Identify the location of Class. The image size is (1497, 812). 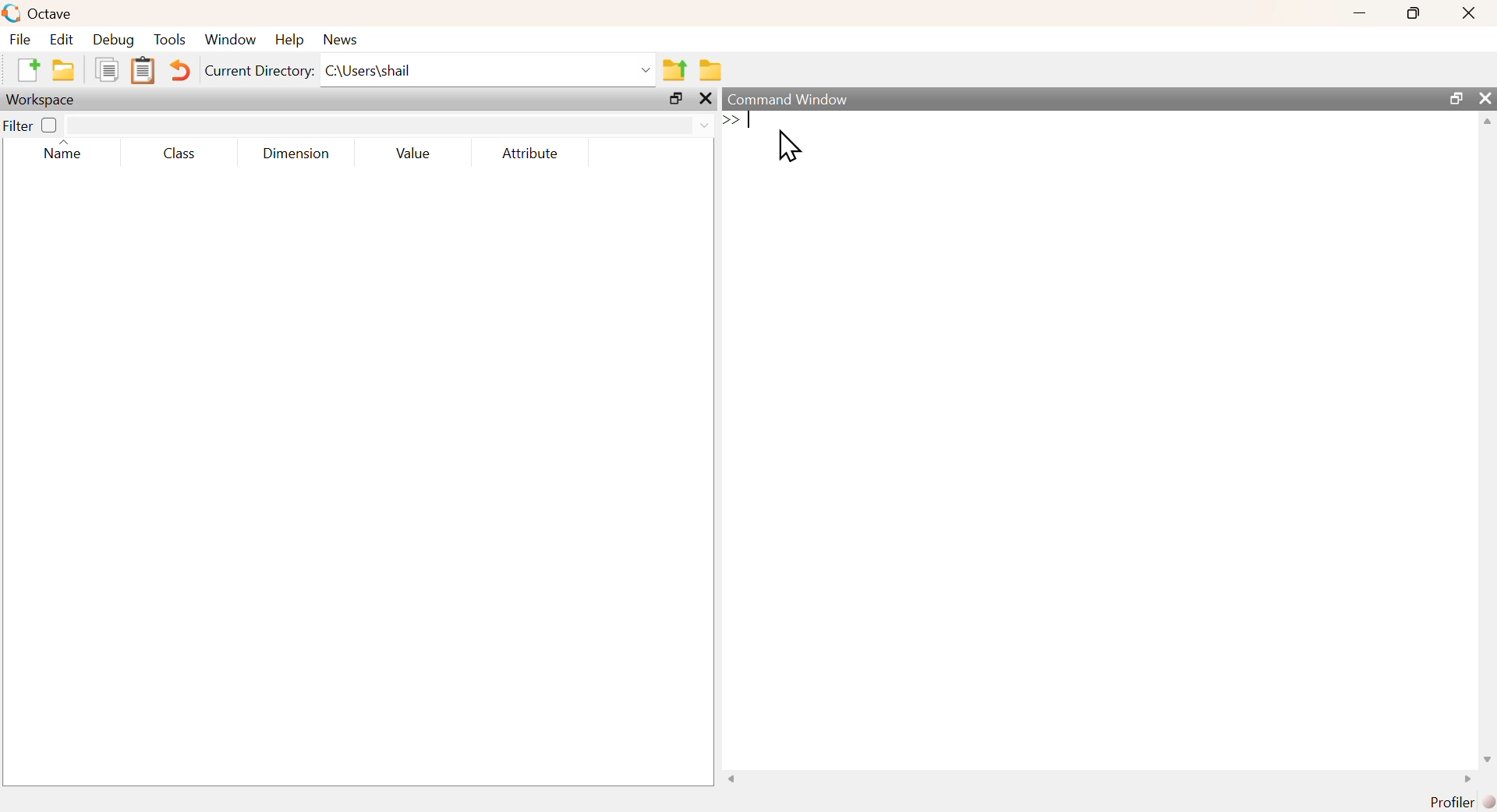
(176, 152).